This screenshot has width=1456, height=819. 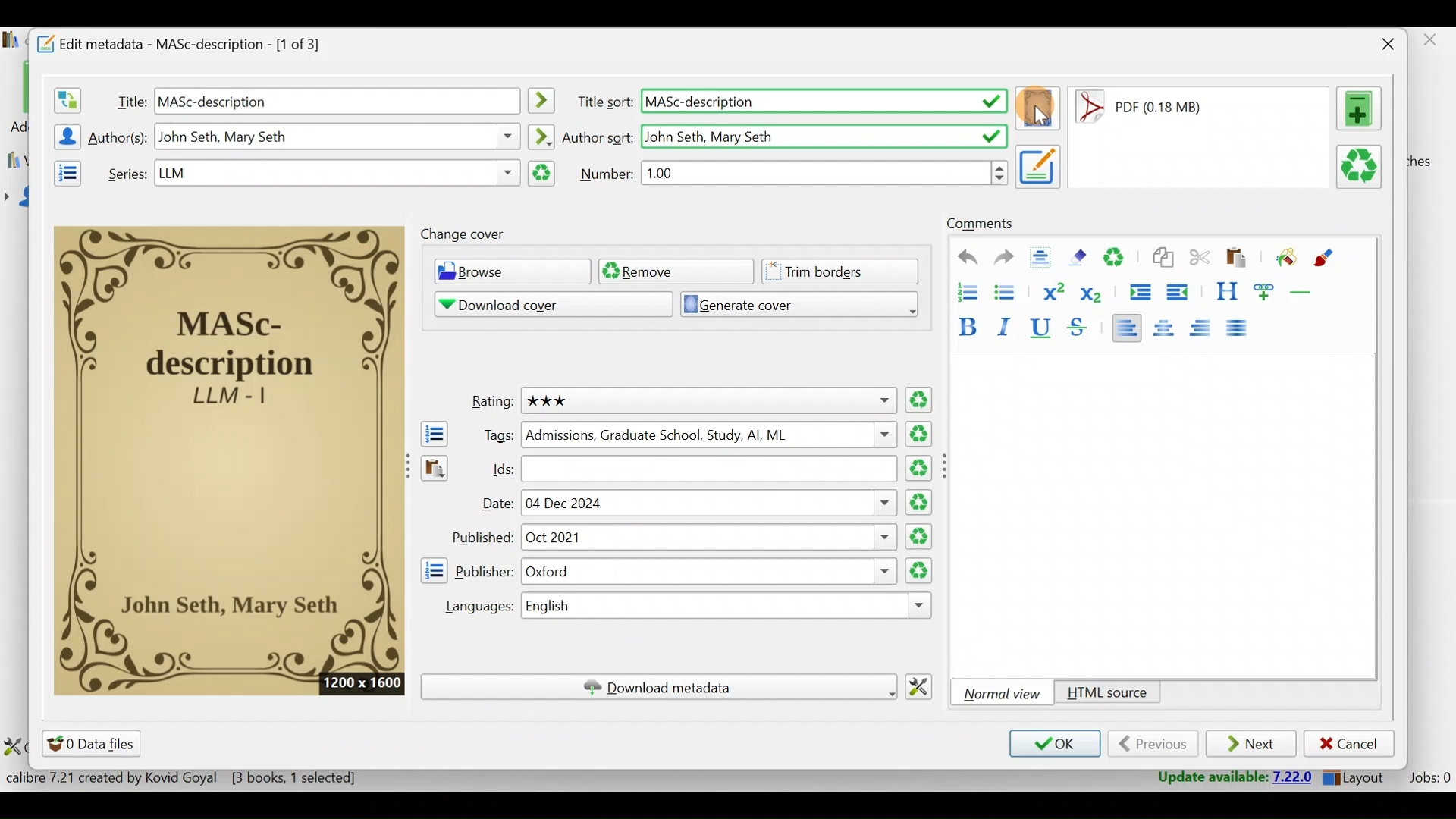 What do you see at coordinates (337, 100) in the screenshot?
I see `` at bounding box center [337, 100].